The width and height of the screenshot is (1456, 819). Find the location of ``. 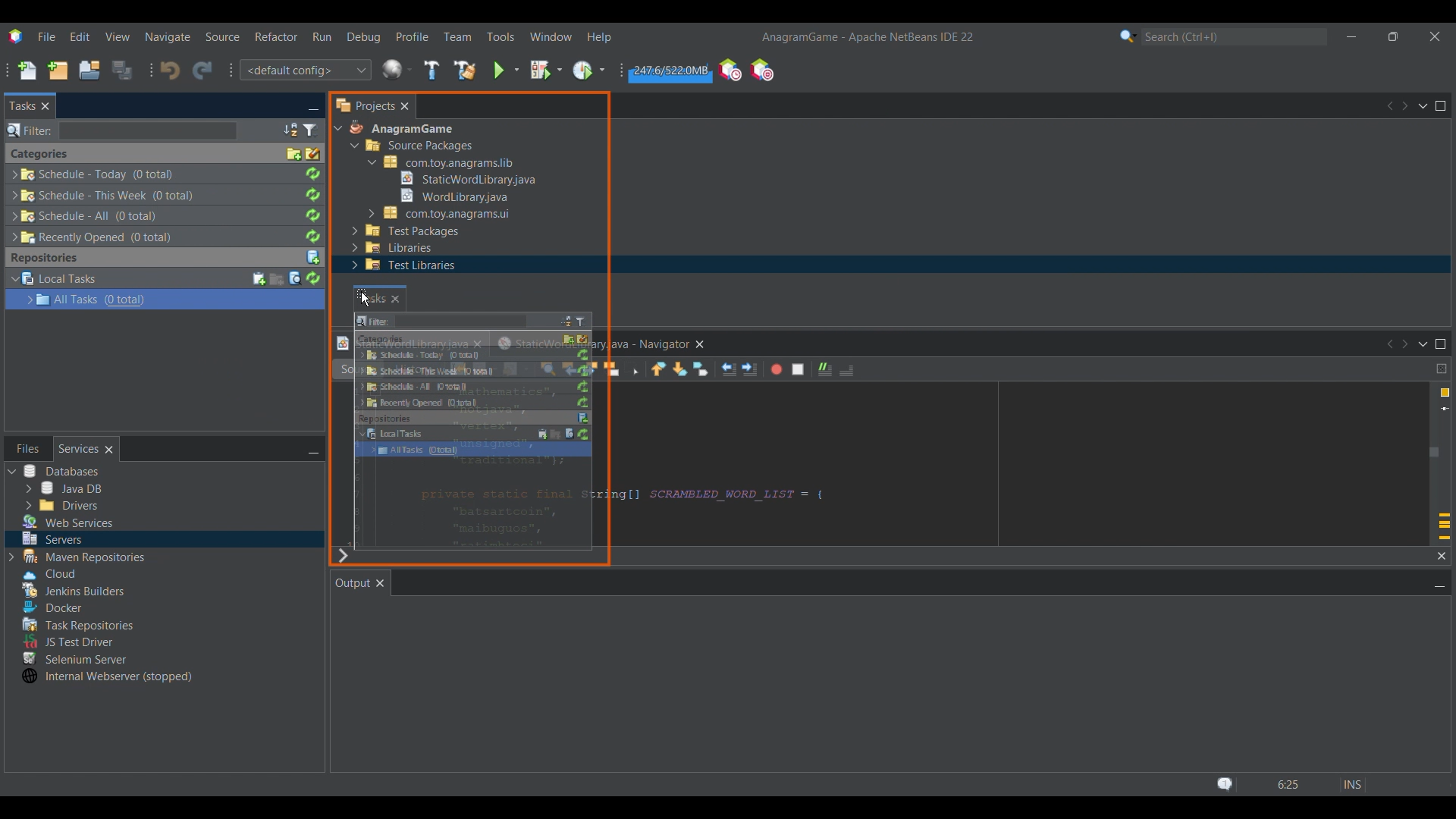

 is located at coordinates (52, 538).